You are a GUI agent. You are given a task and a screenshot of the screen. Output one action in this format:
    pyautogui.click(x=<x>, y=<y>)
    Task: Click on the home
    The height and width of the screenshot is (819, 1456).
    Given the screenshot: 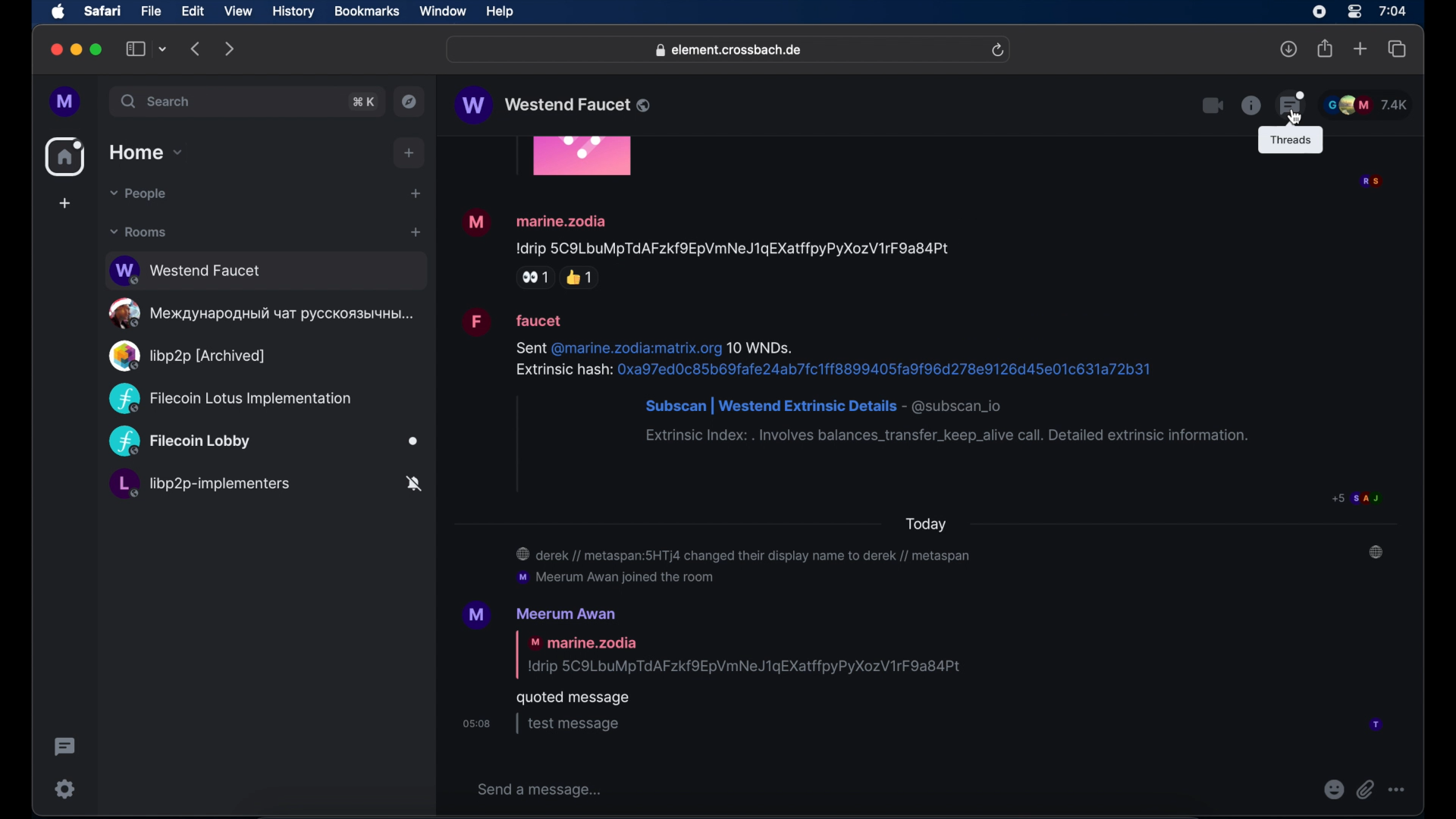 What is the action you would take?
    pyautogui.click(x=66, y=157)
    